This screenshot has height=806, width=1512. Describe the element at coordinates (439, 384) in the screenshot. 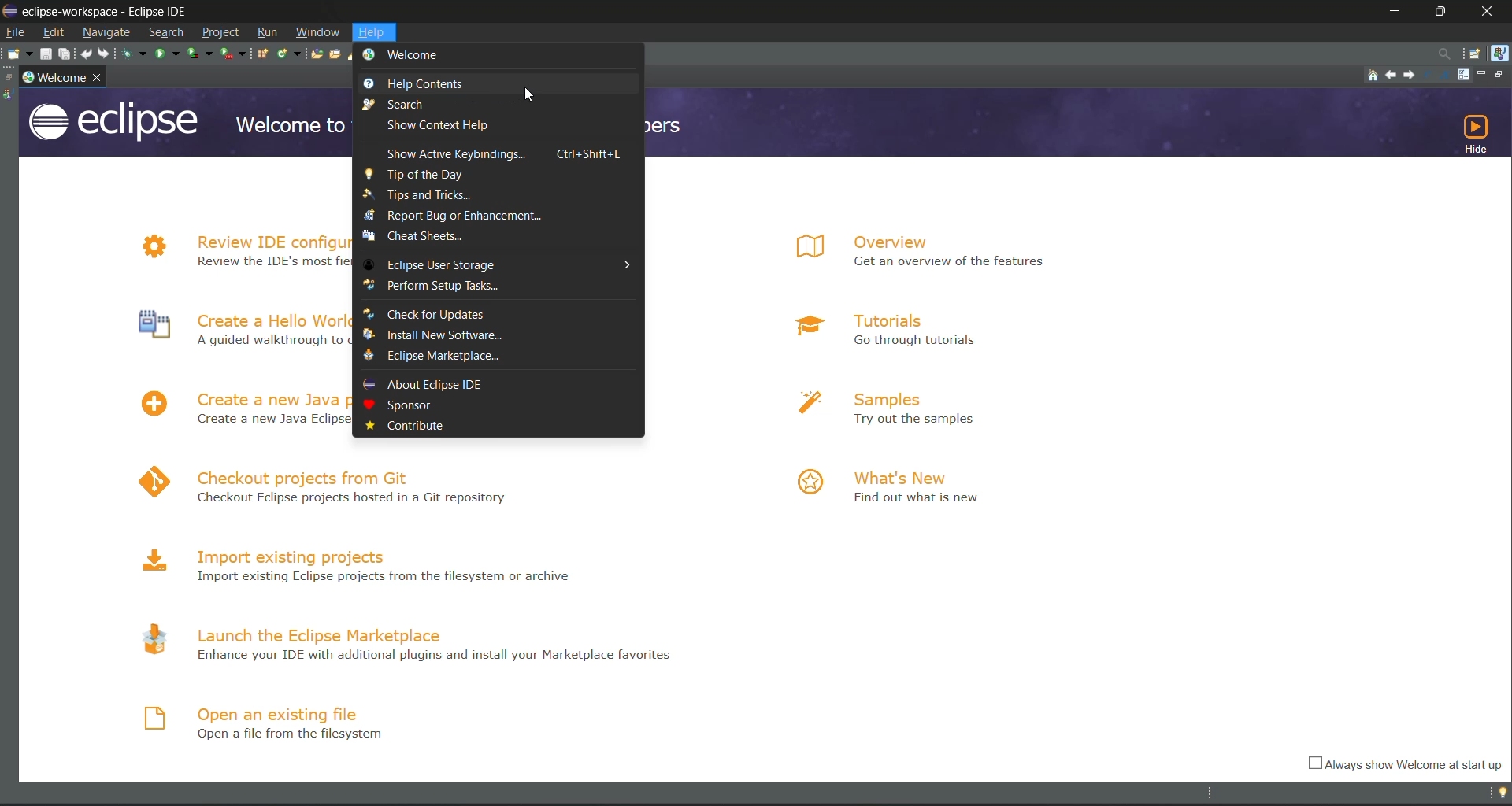

I see `about eclipse IDE` at that location.